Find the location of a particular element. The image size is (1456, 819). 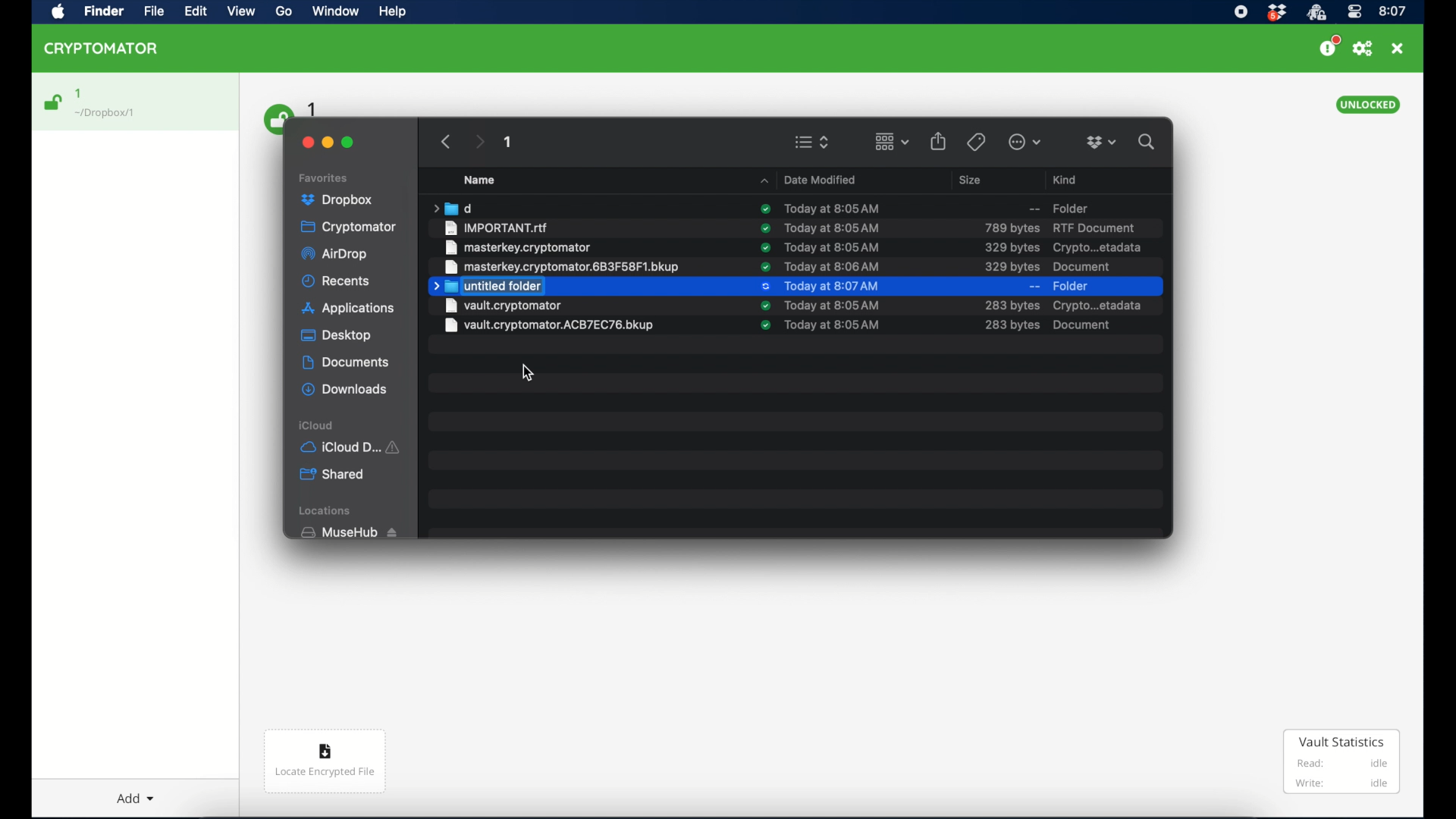

dropboxdropdown is located at coordinates (1101, 143).